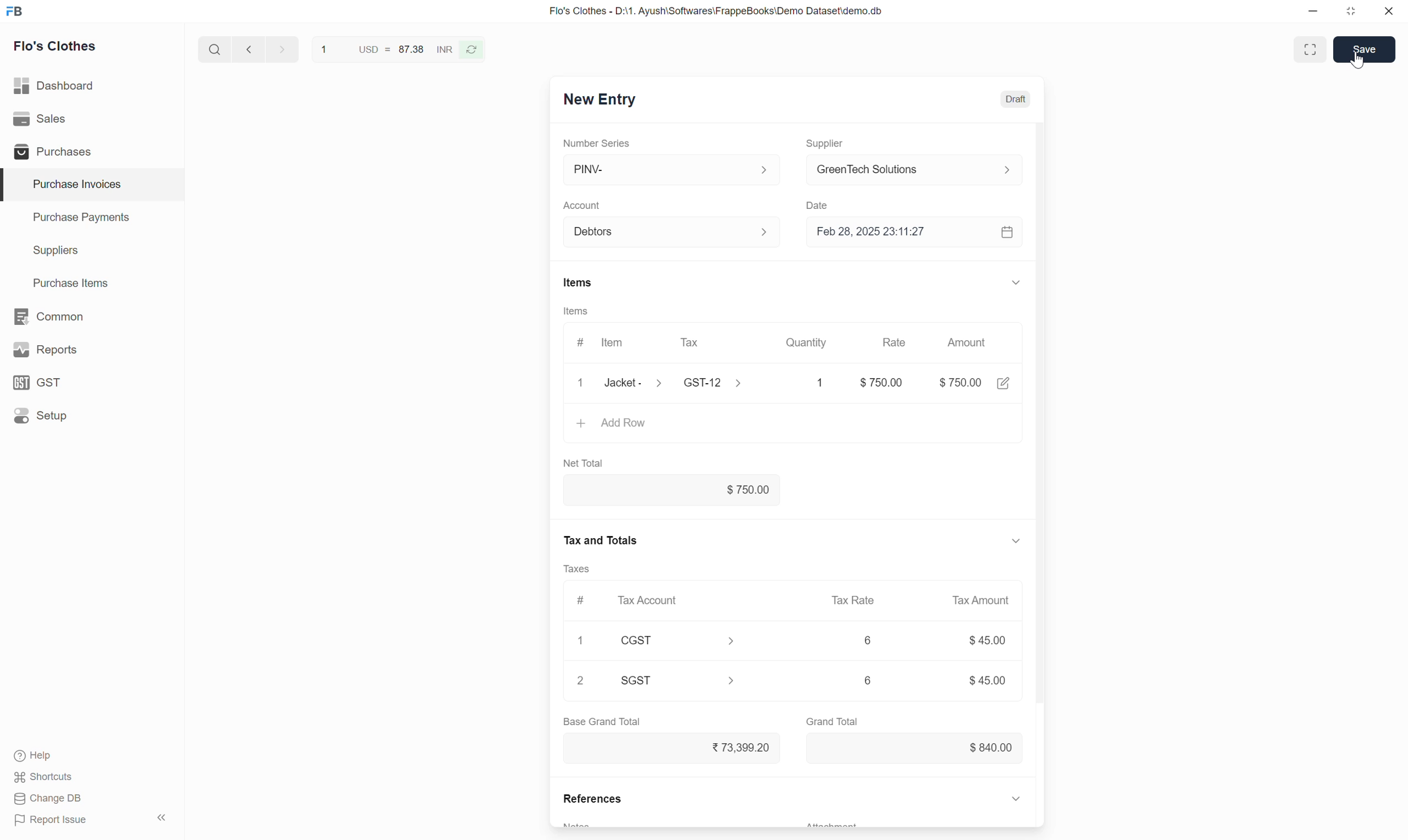  What do you see at coordinates (1311, 49) in the screenshot?
I see `Toggle between form and full width` at bounding box center [1311, 49].